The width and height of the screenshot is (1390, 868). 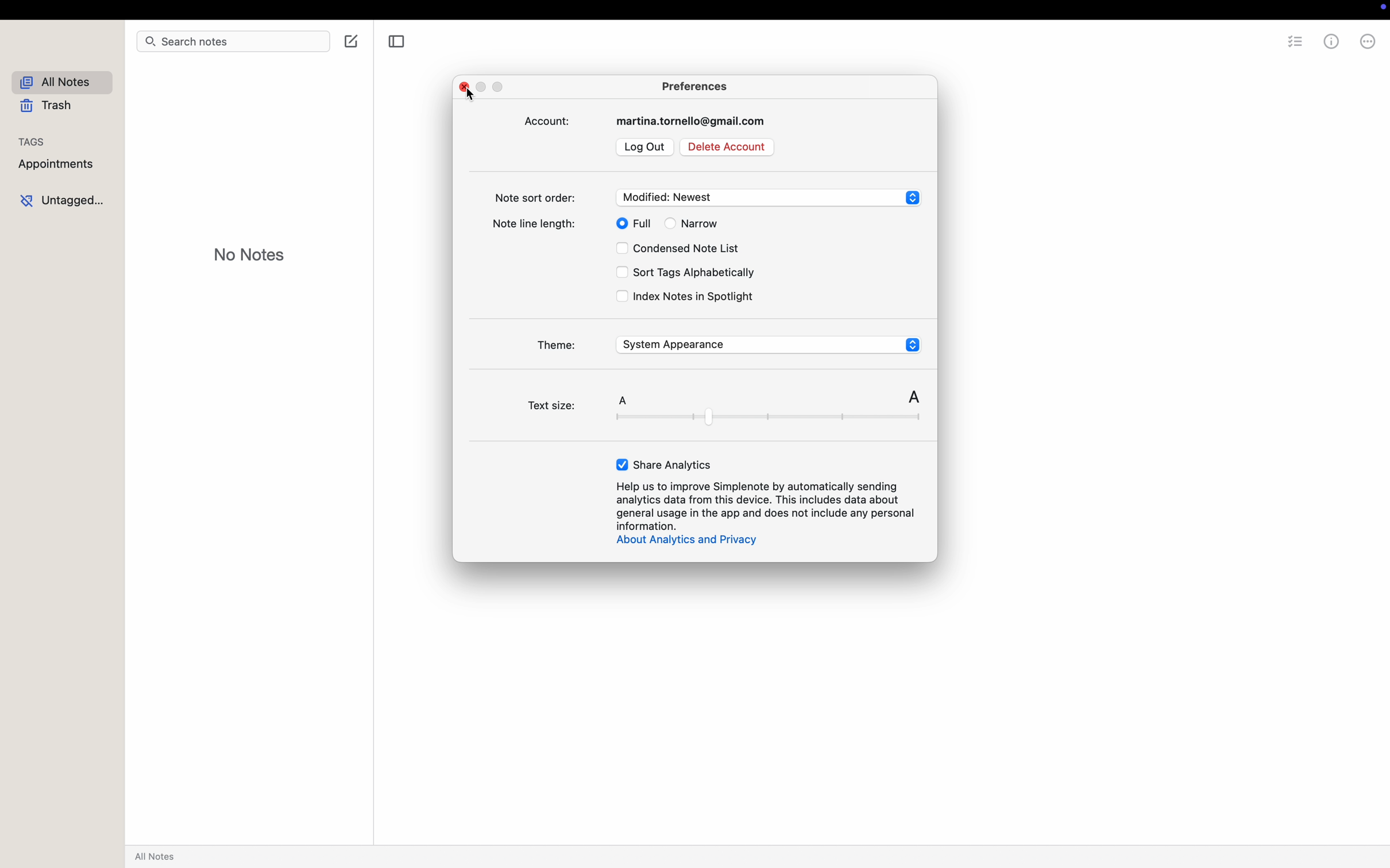 What do you see at coordinates (696, 223) in the screenshot?
I see `narrow` at bounding box center [696, 223].